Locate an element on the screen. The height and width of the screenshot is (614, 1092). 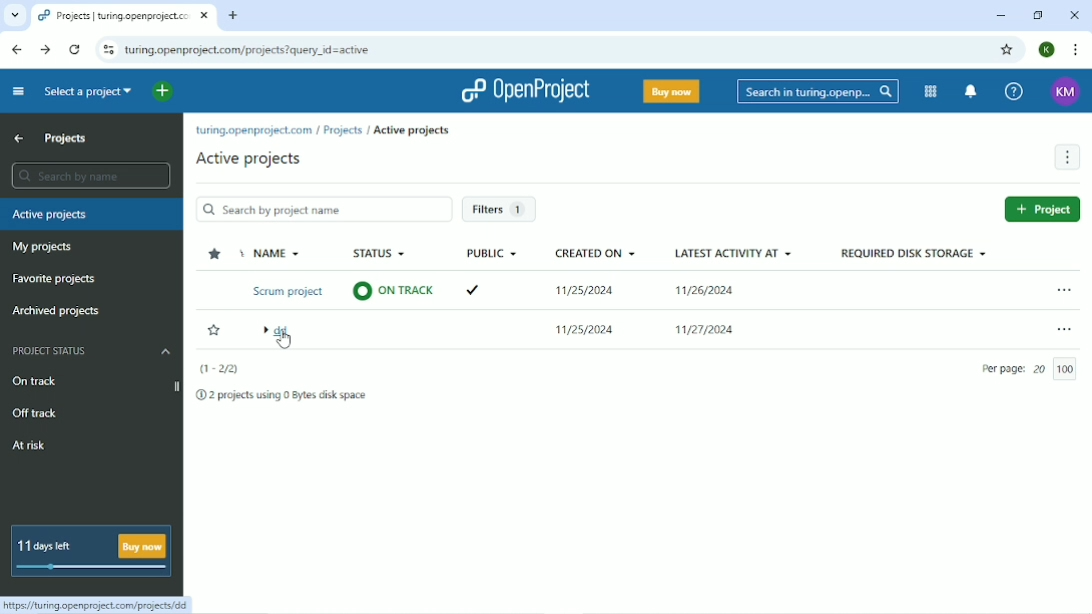
turing.openproject.com is located at coordinates (253, 131).